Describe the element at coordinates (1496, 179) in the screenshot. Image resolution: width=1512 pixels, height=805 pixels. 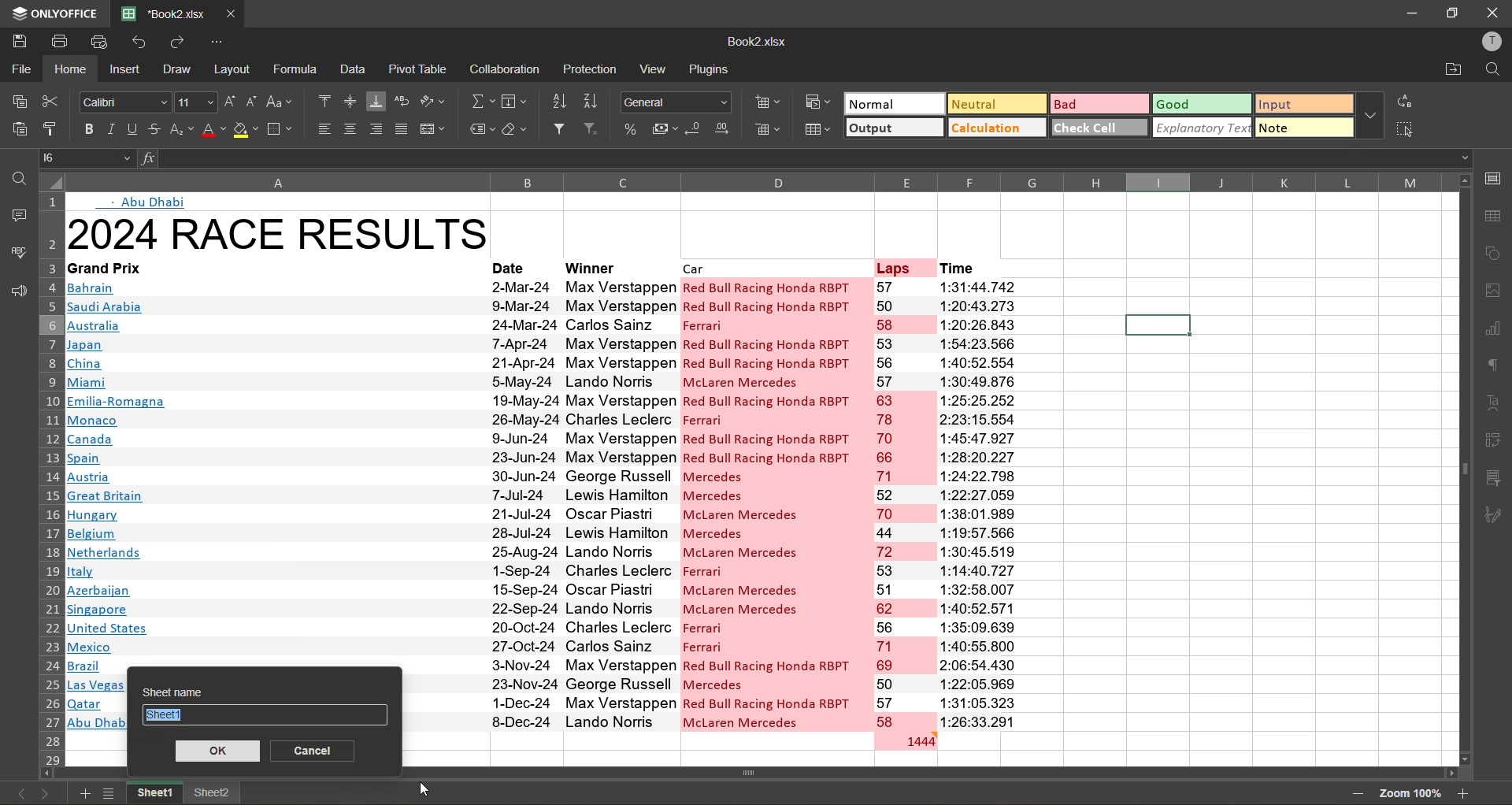
I see `call settings` at that location.